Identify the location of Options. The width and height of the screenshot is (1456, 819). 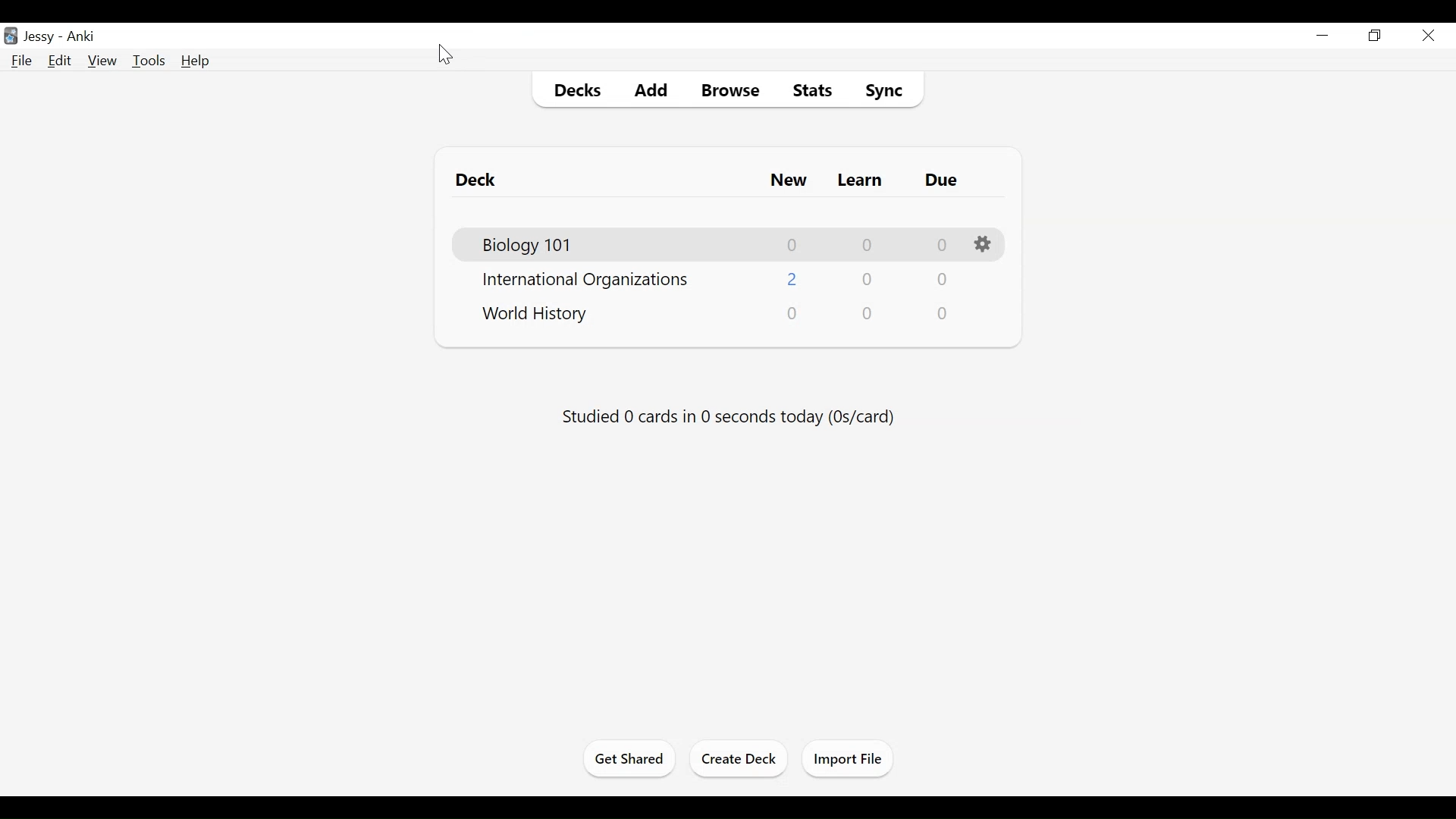
(984, 245).